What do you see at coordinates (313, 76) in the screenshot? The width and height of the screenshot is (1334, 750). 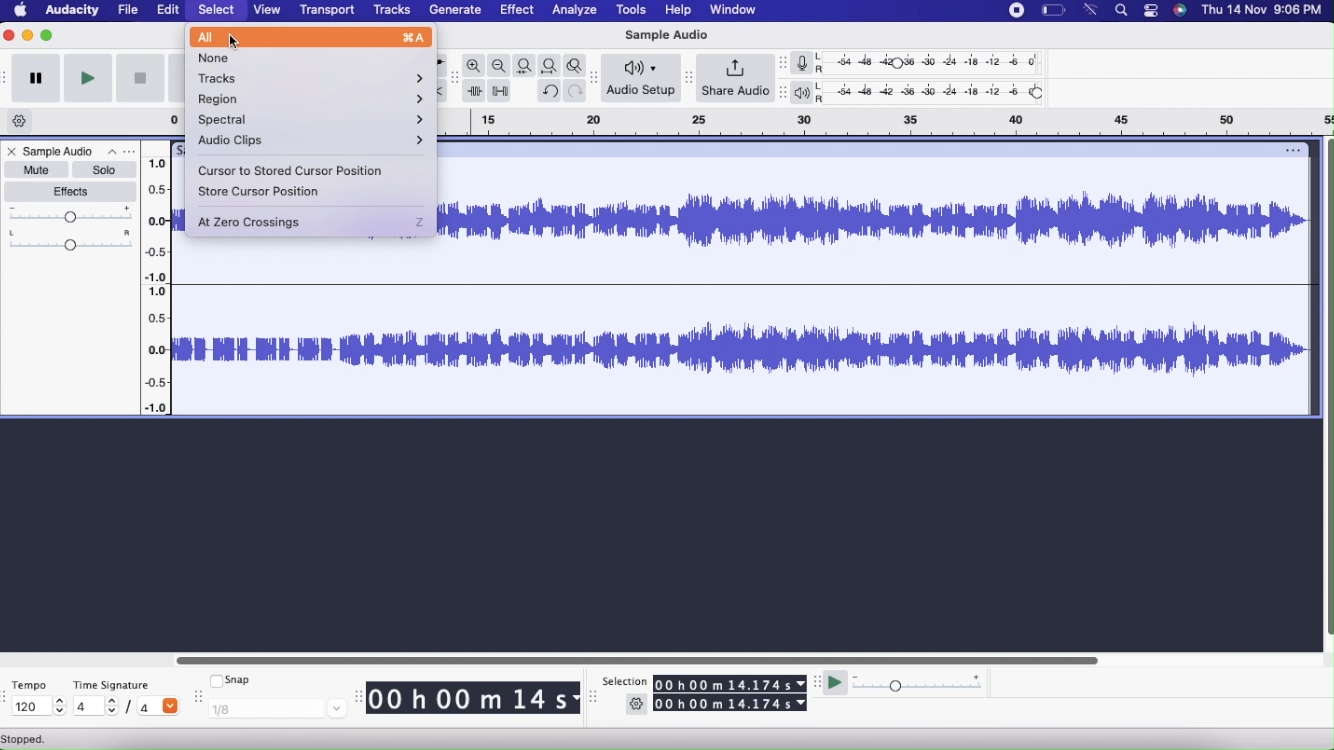 I see `Tracks` at bounding box center [313, 76].